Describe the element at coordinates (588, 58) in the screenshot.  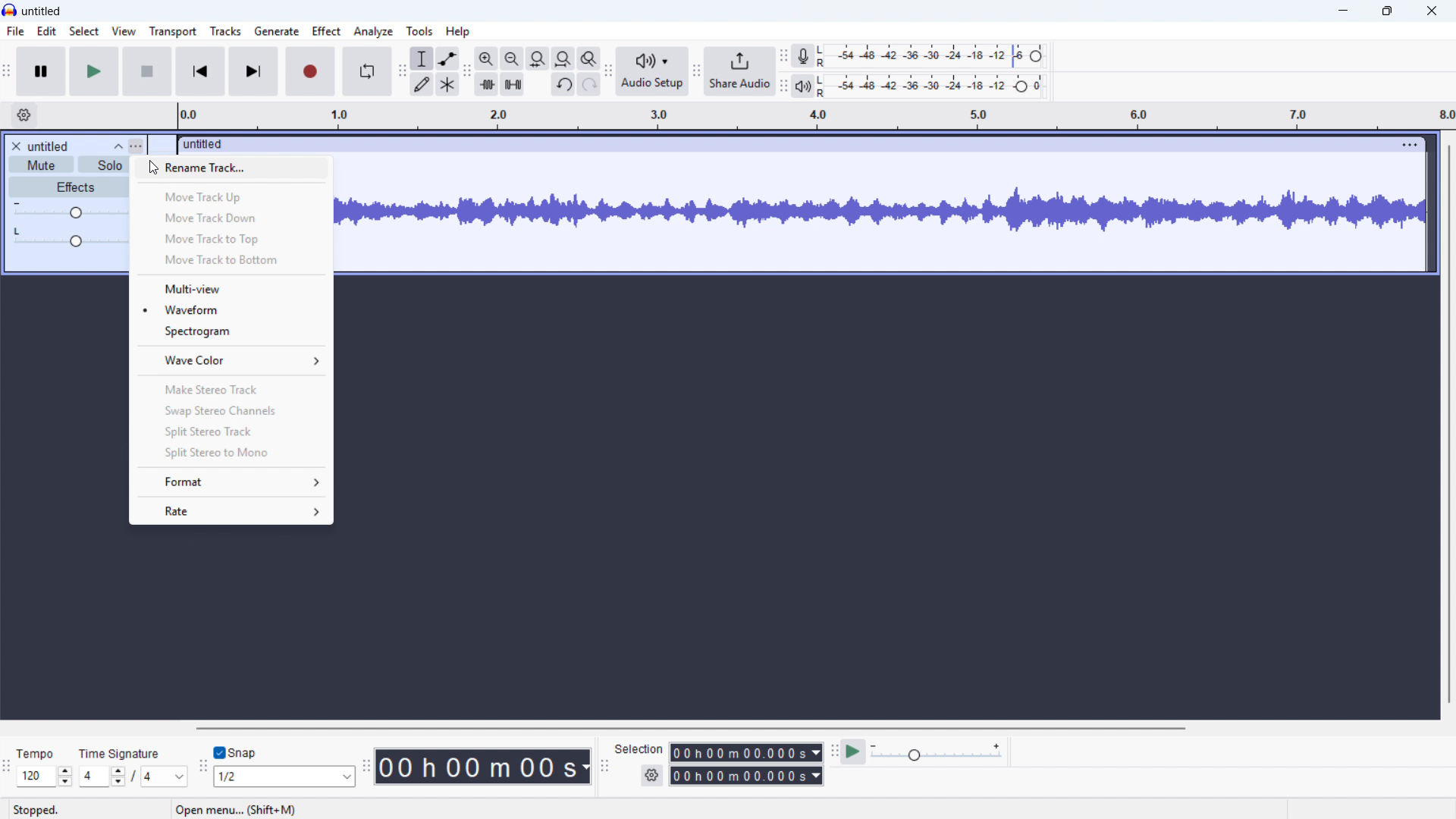
I see `Toggle zoom ` at that location.